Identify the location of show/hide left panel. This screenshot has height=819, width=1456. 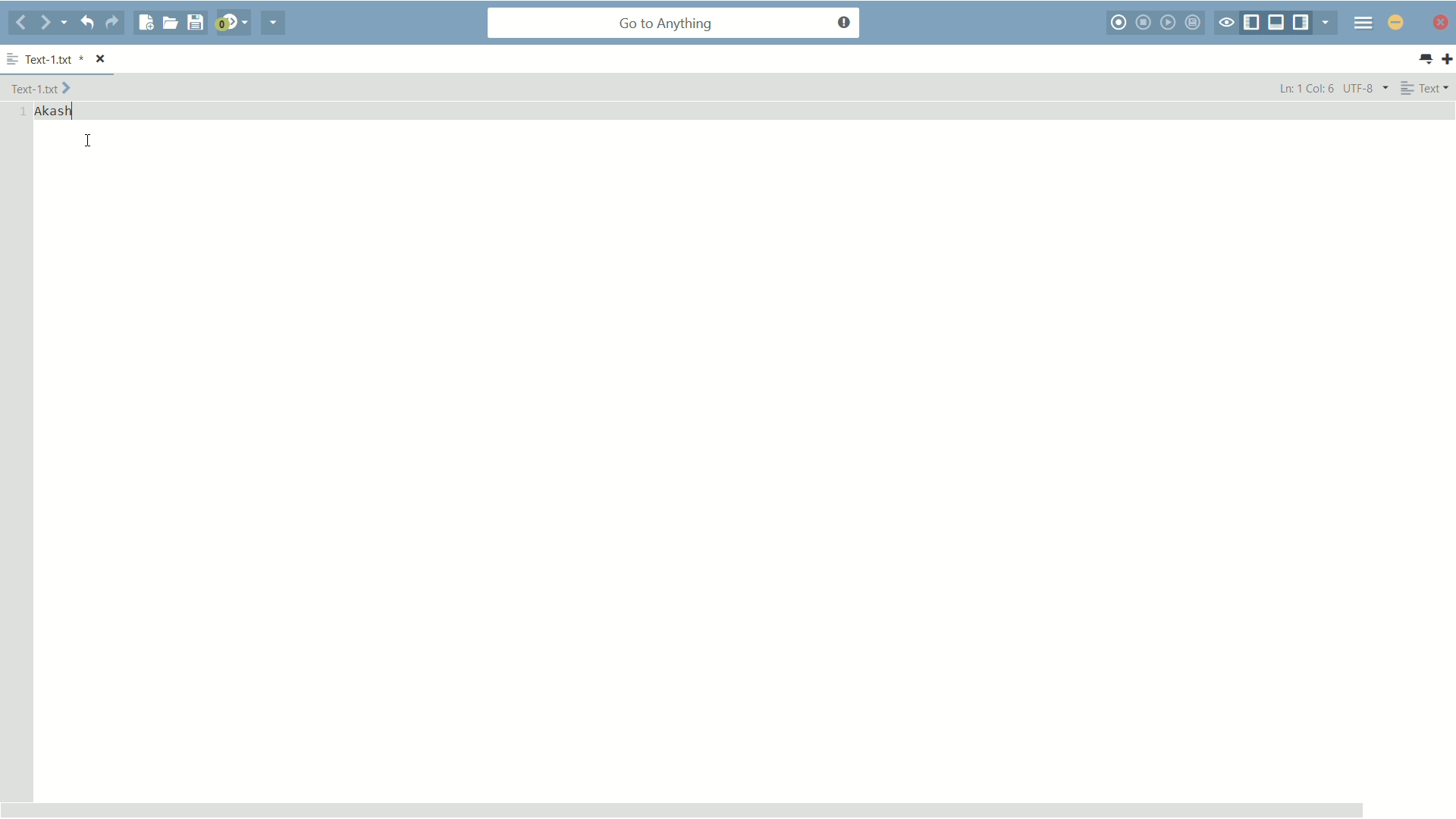
(1250, 23).